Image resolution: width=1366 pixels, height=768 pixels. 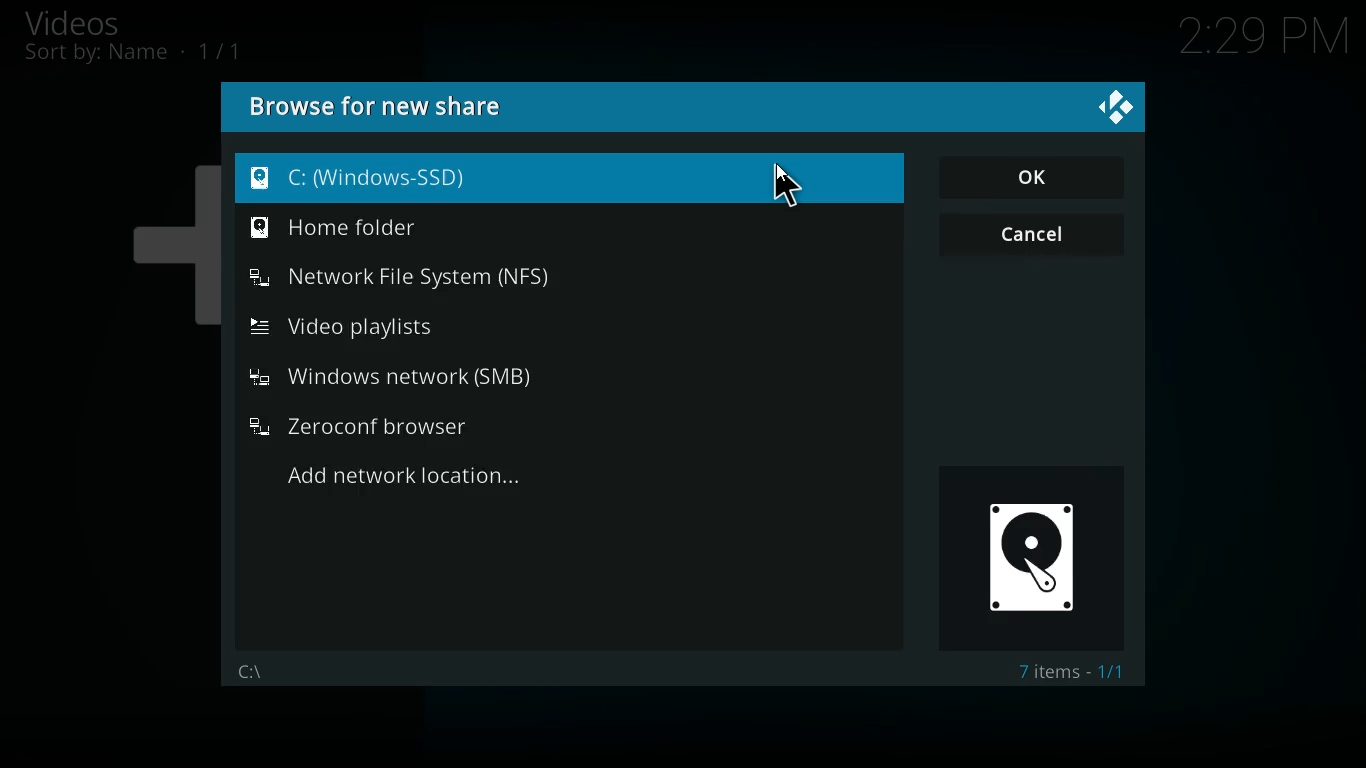 I want to click on 2:29 PM, so click(x=1264, y=41).